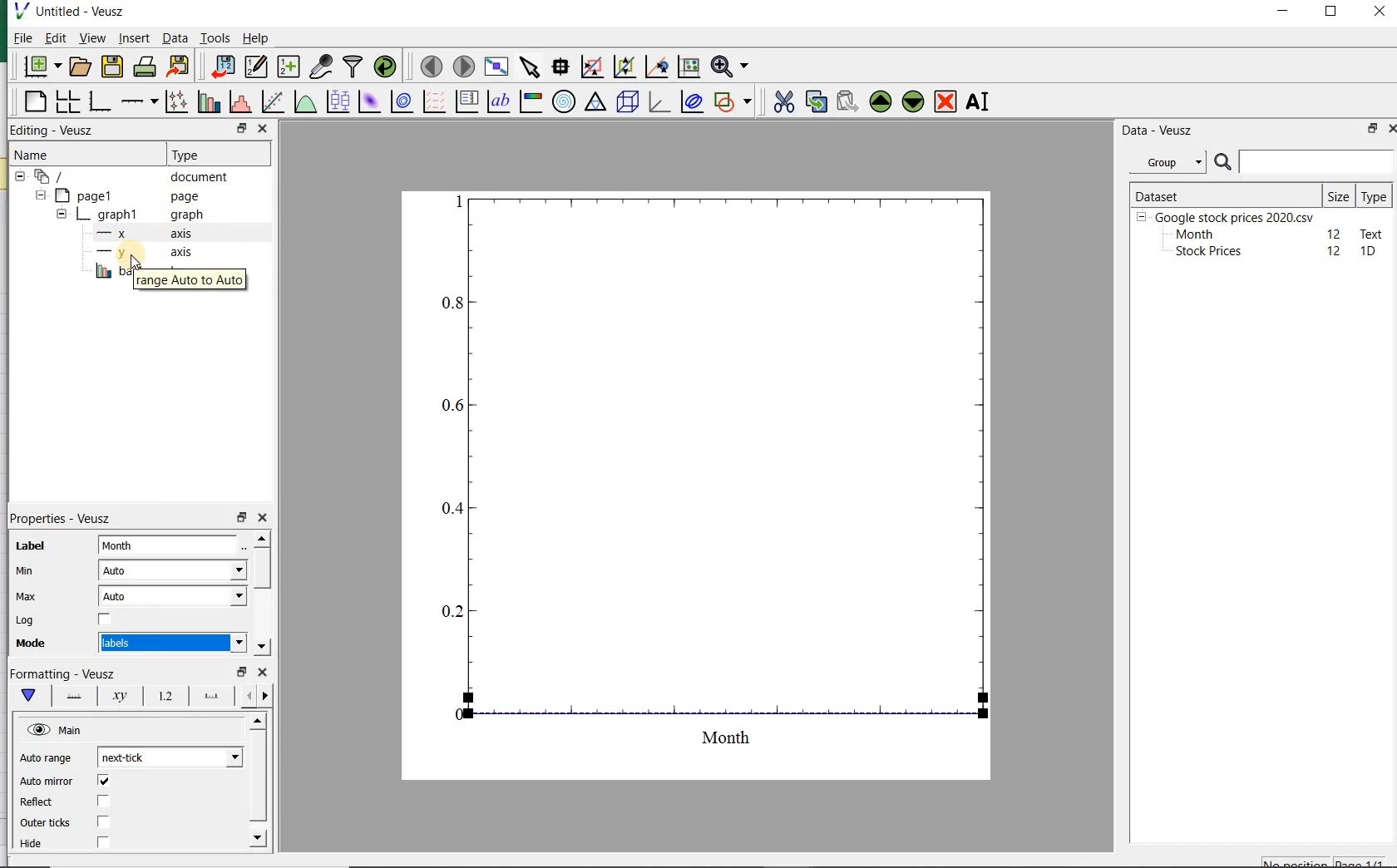  I want to click on Untitled-Veusz, so click(77, 12).